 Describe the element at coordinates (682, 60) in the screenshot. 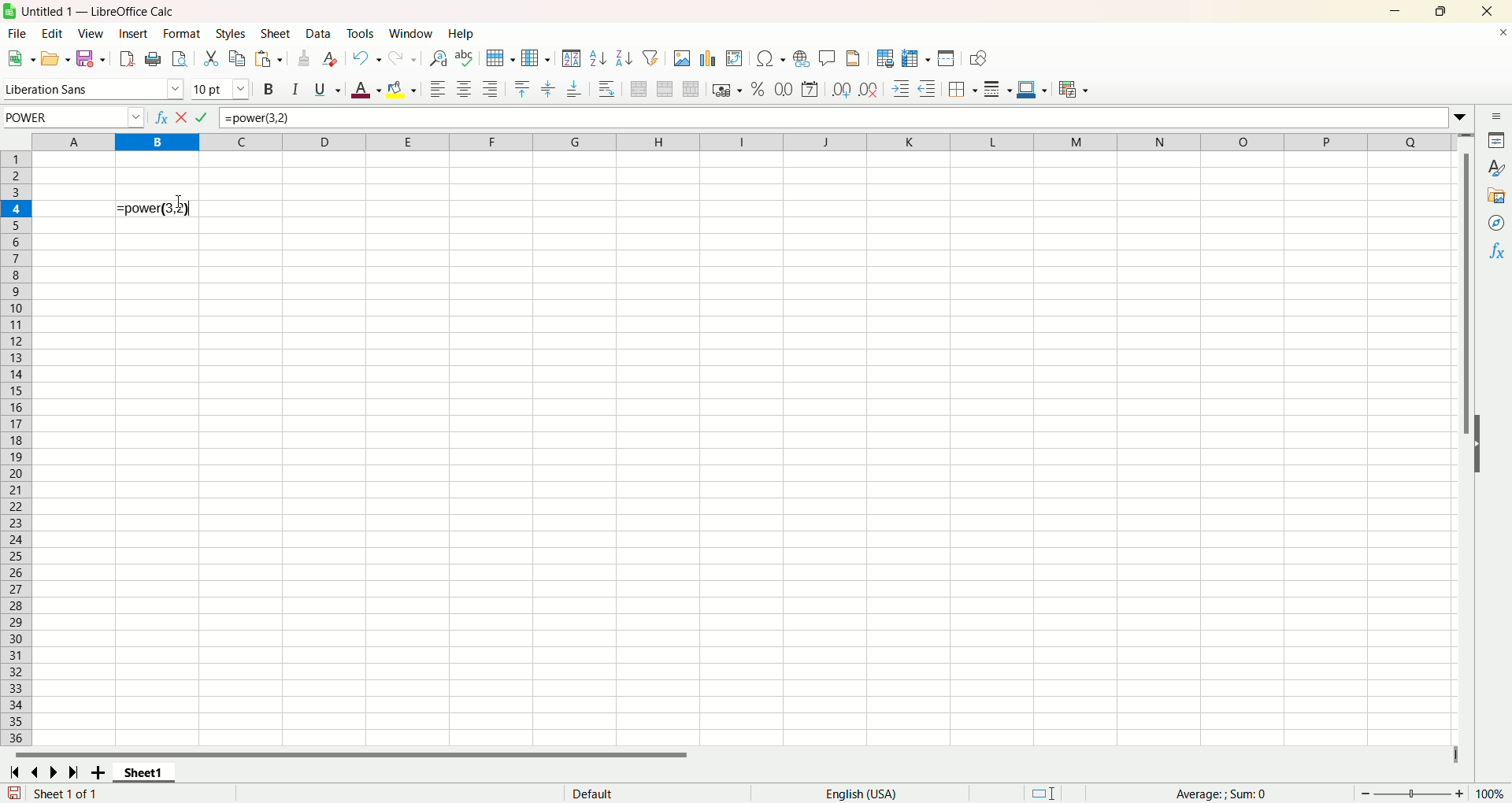

I see `insert image` at that location.